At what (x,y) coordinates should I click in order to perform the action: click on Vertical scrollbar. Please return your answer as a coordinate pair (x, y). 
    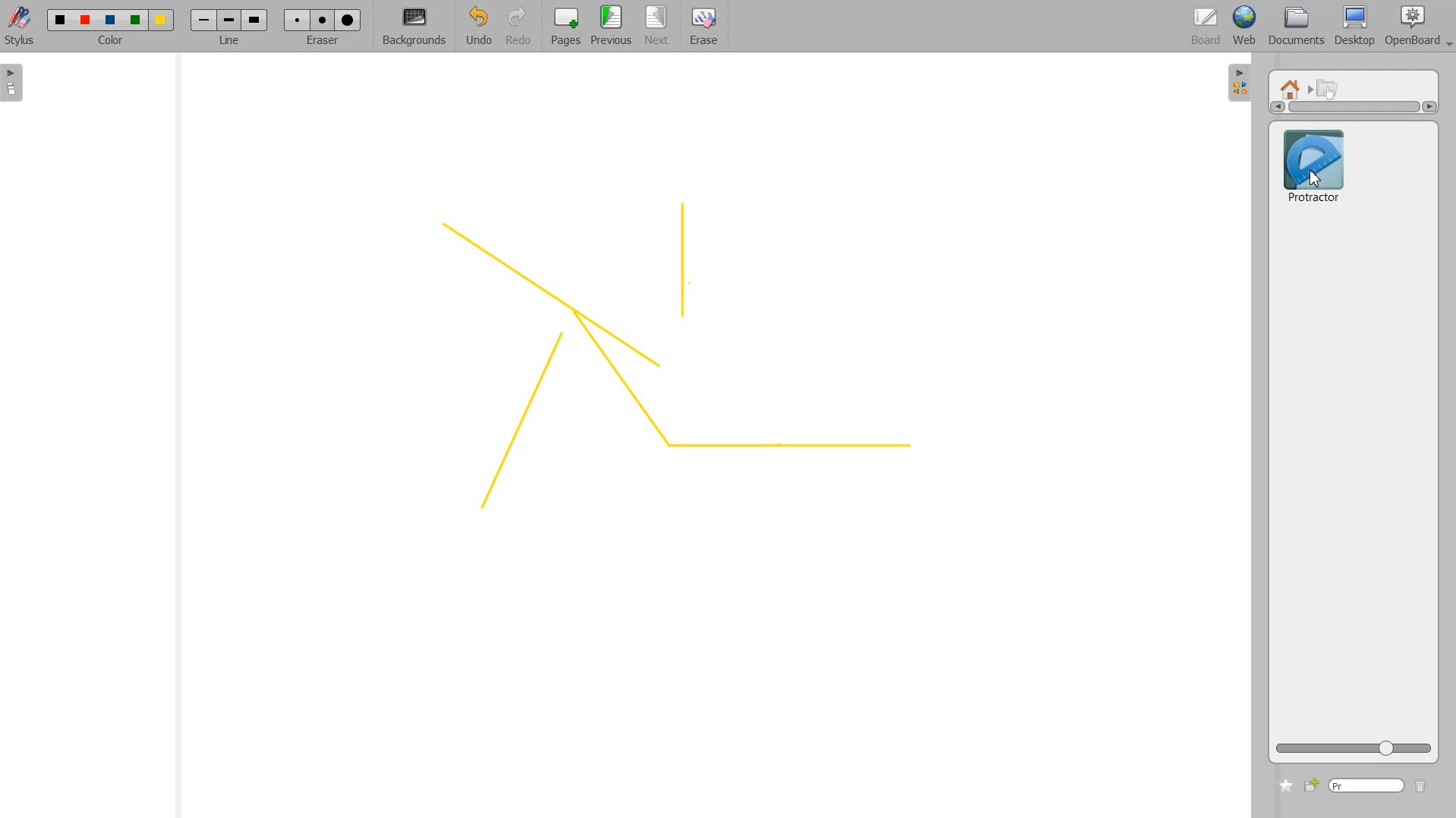
    Looking at the image, I should click on (1354, 107).